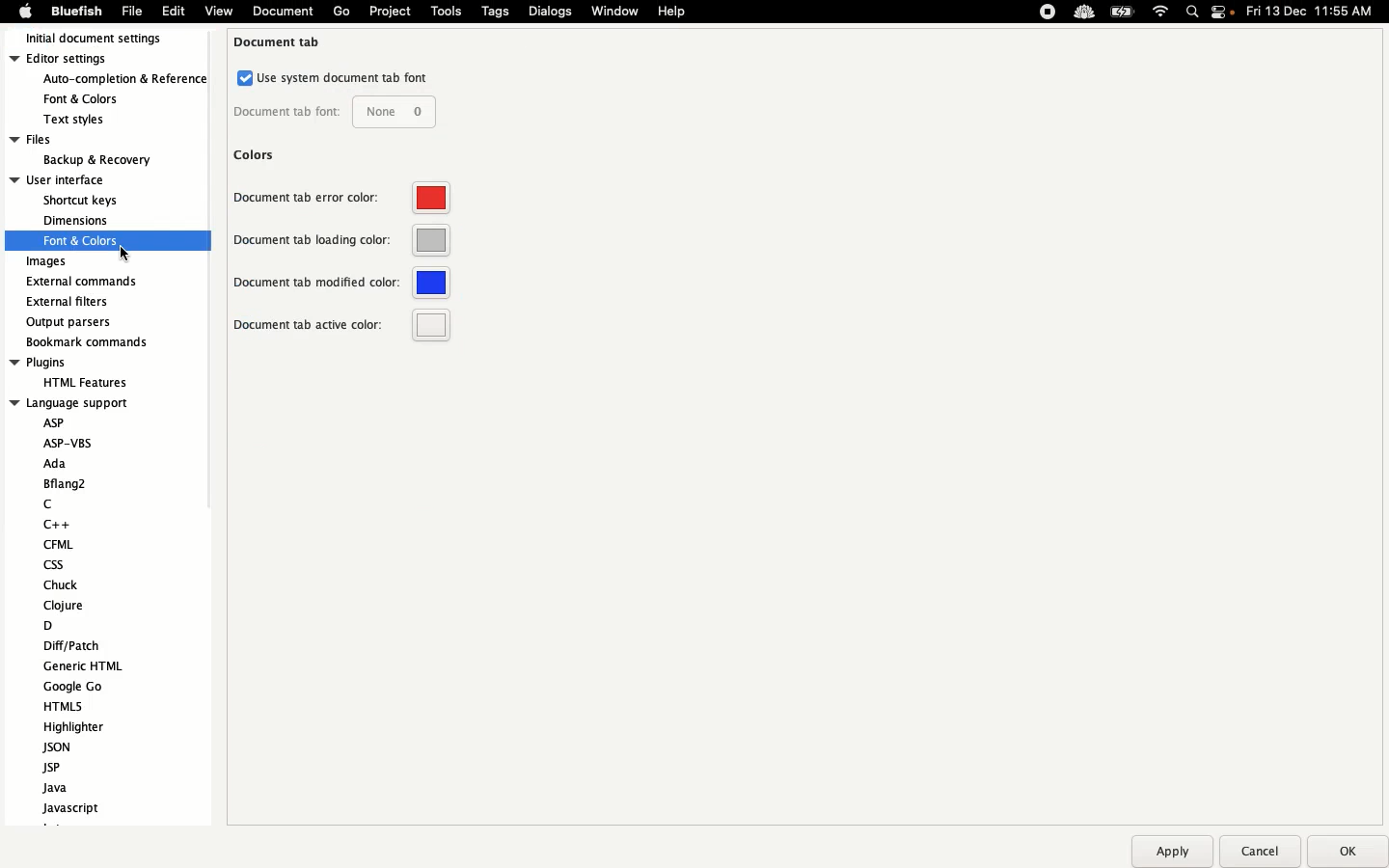 Image resolution: width=1389 pixels, height=868 pixels. I want to click on Extensions, so click(1064, 12).